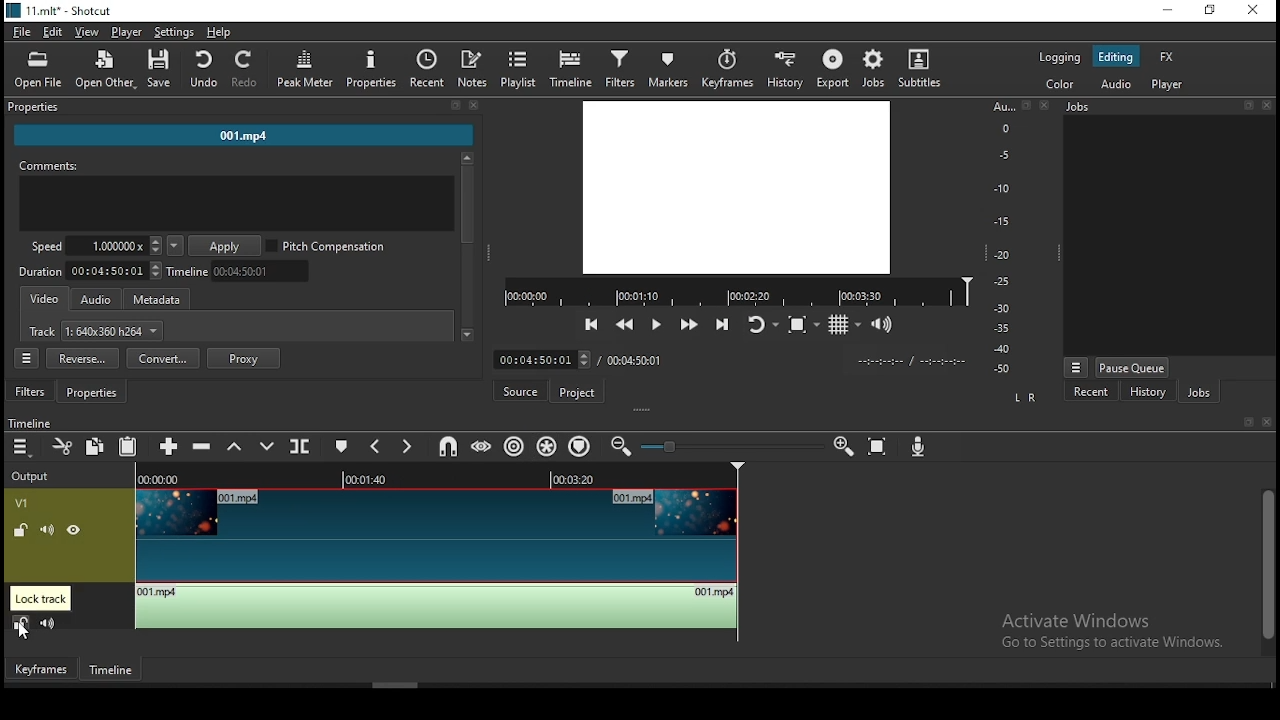 This screenshot has width=1280, height=720. I want to click on video, so click(45, 301).